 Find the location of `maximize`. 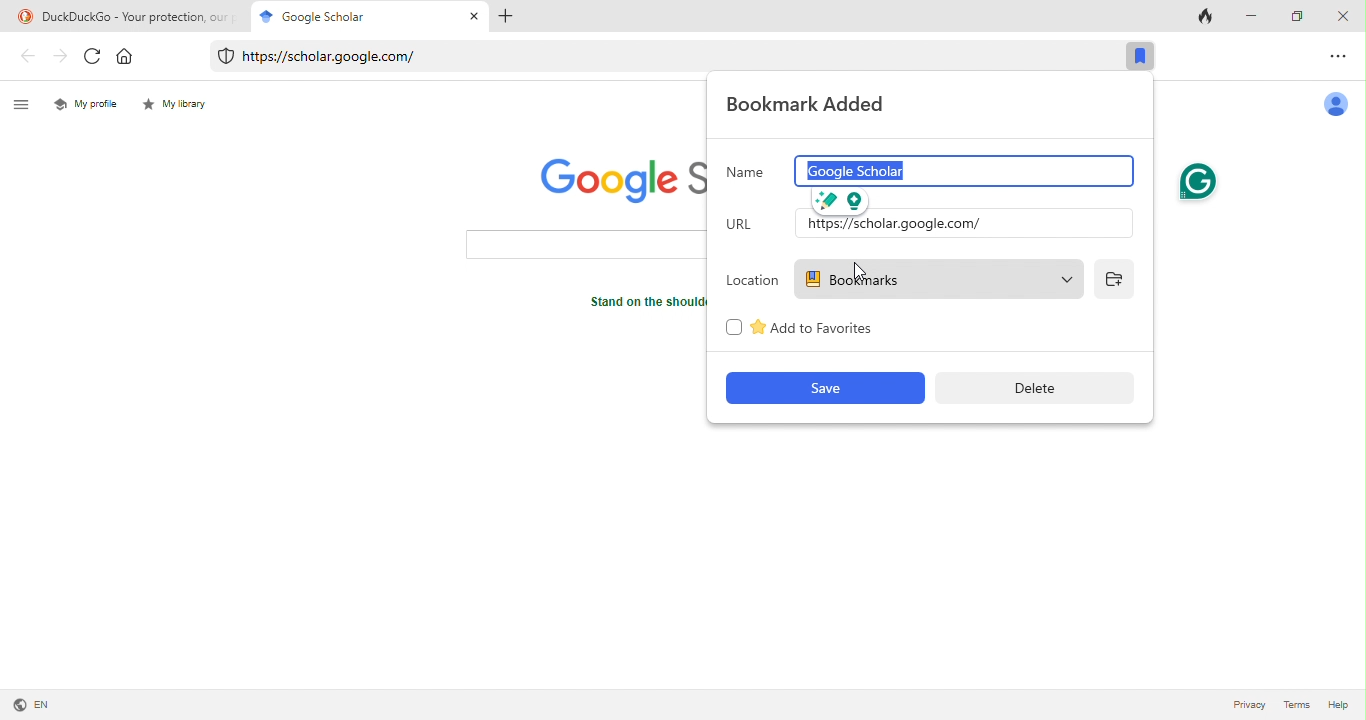

maximize is located at coordinates (1301, 15).